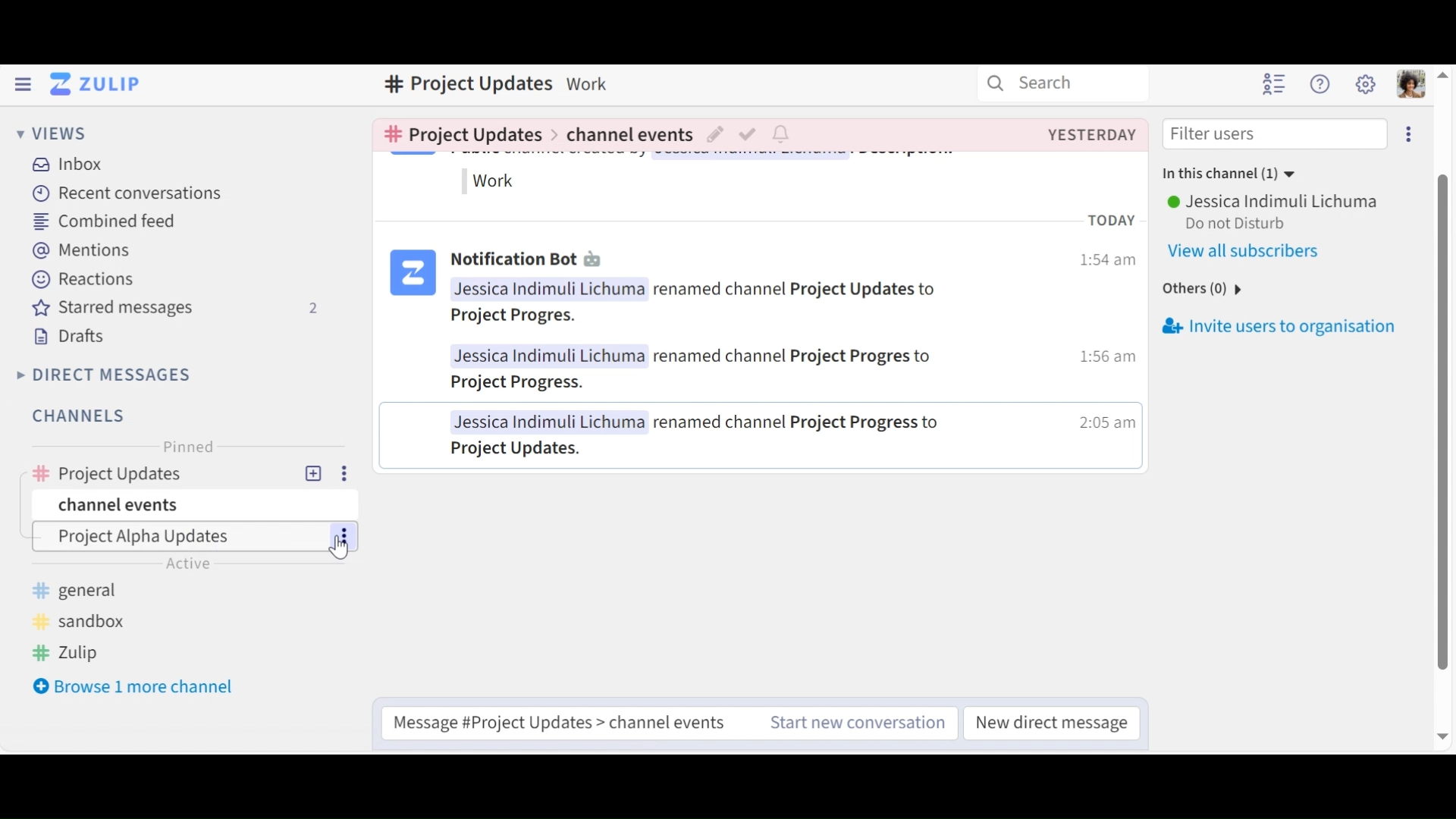  Describe the element at coordinates (859, 723) in the screenshot. I see `Start new conversation` at that location.